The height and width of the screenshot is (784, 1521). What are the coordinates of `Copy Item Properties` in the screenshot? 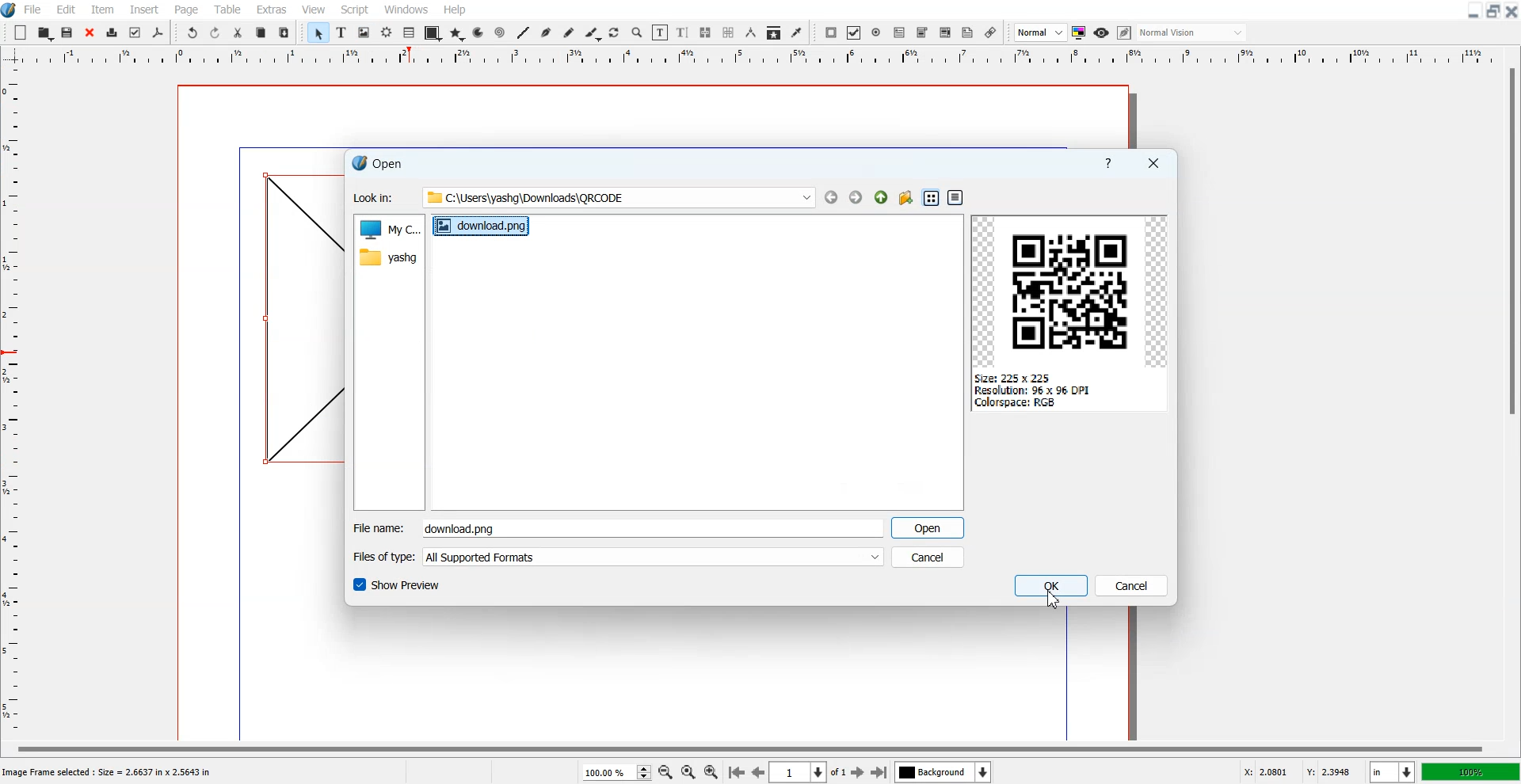 It's located at (773, 32).